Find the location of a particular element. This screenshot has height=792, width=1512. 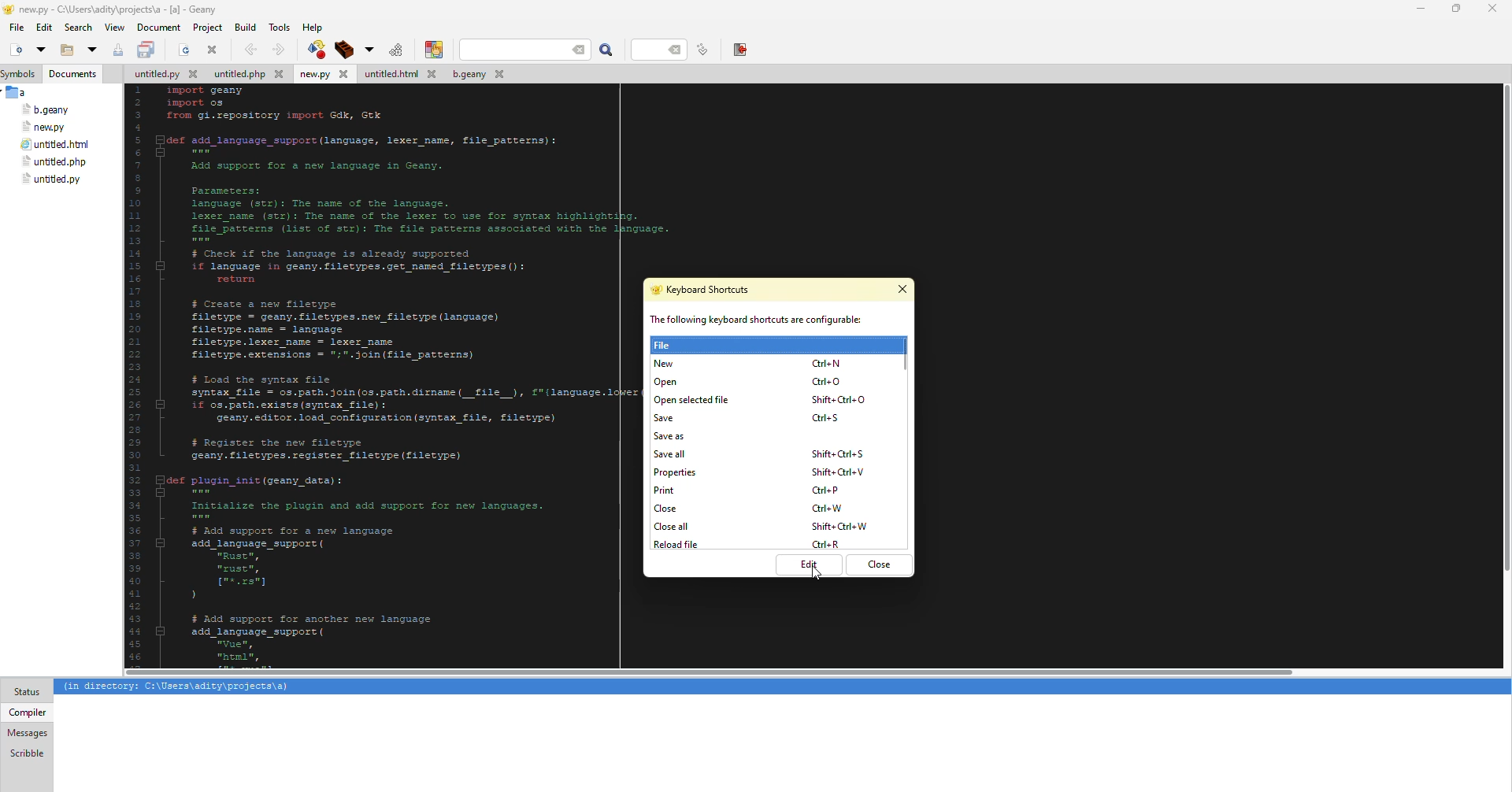

shortcut is located at coordinates (842, 525).